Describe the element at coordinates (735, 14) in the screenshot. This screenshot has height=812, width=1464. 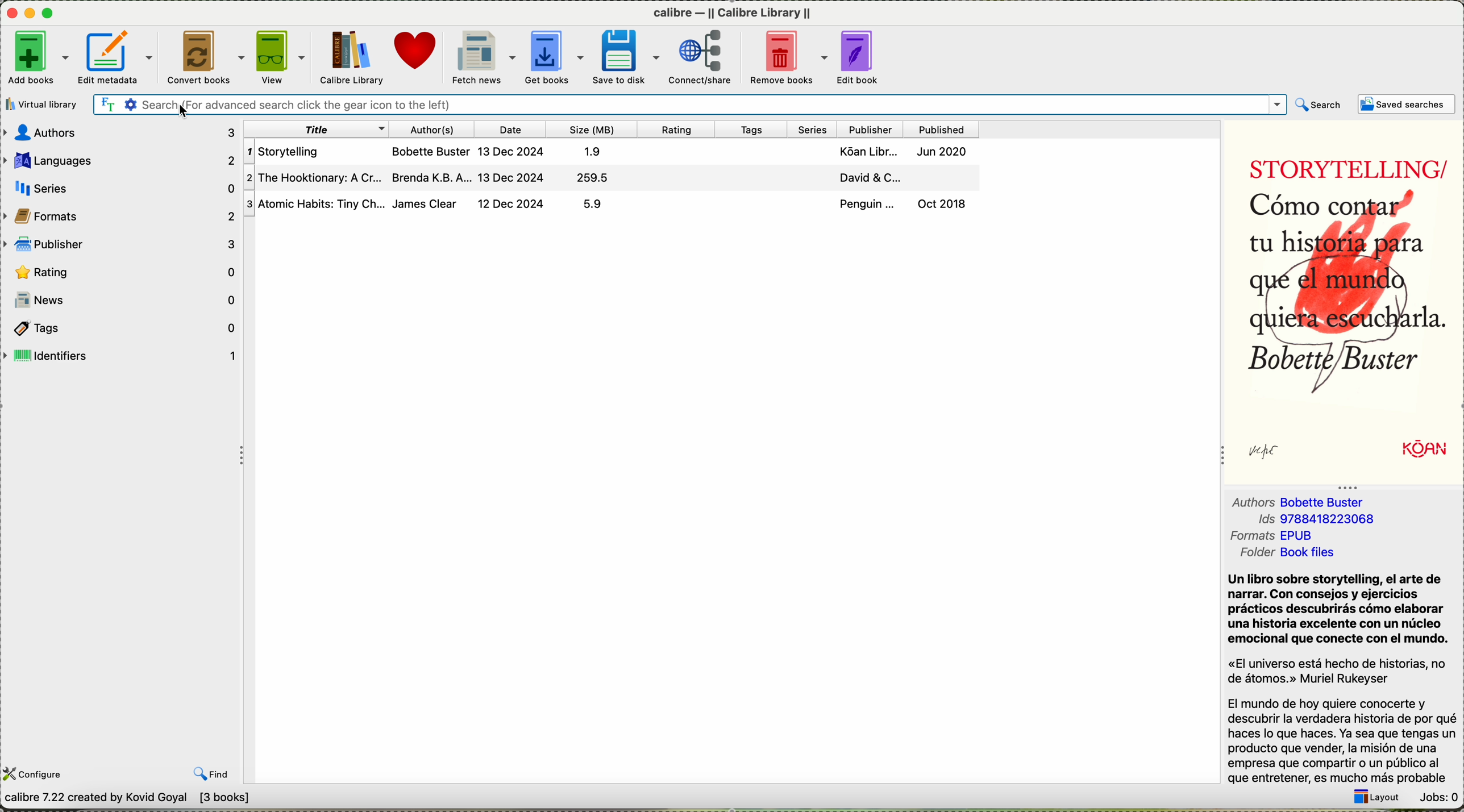
I see `calibre — || Calibre Library ||` at that location.